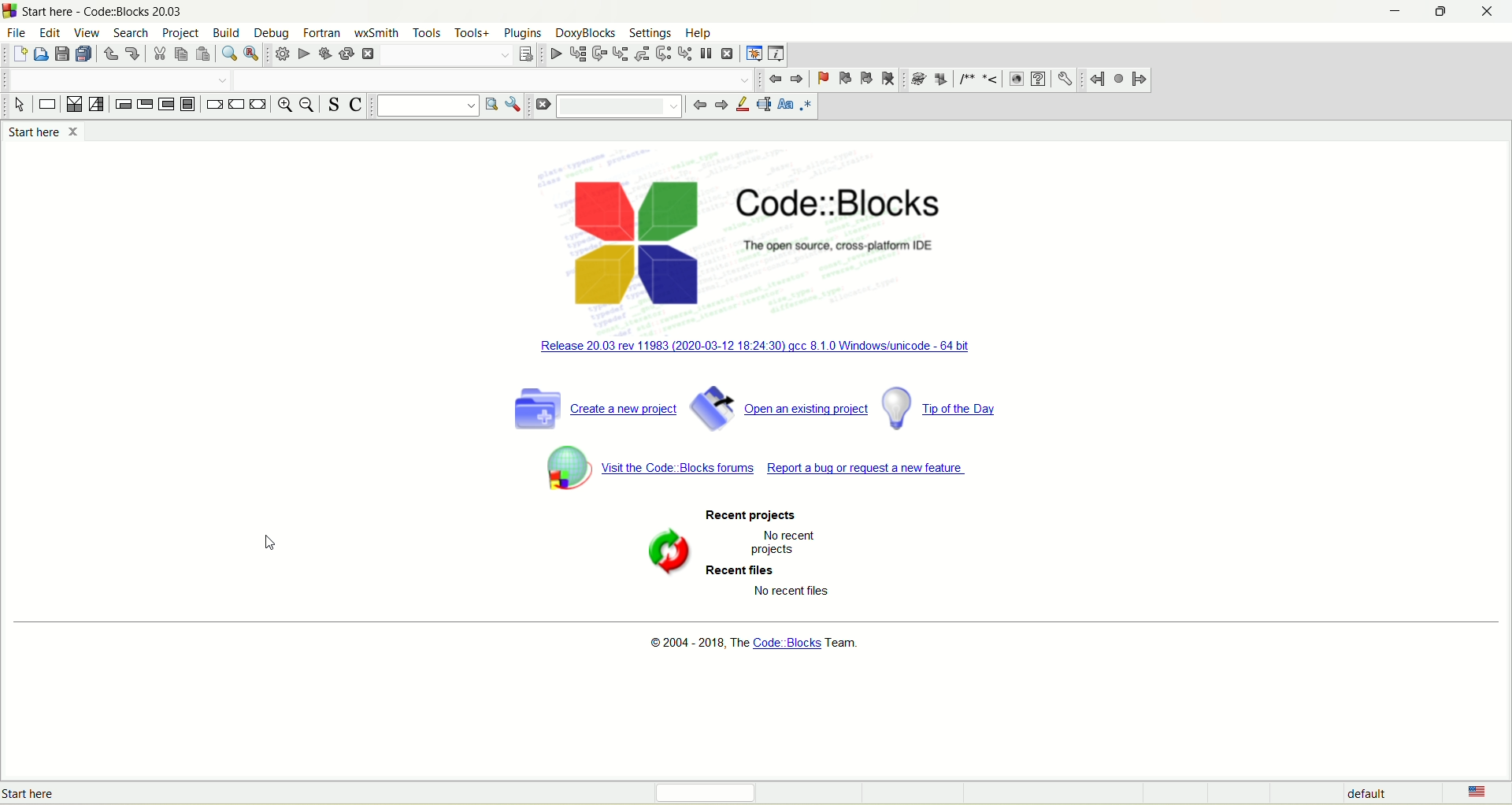  Describe the element at coordinates (1037, 78) in the screenshot. I see `help` at that location.